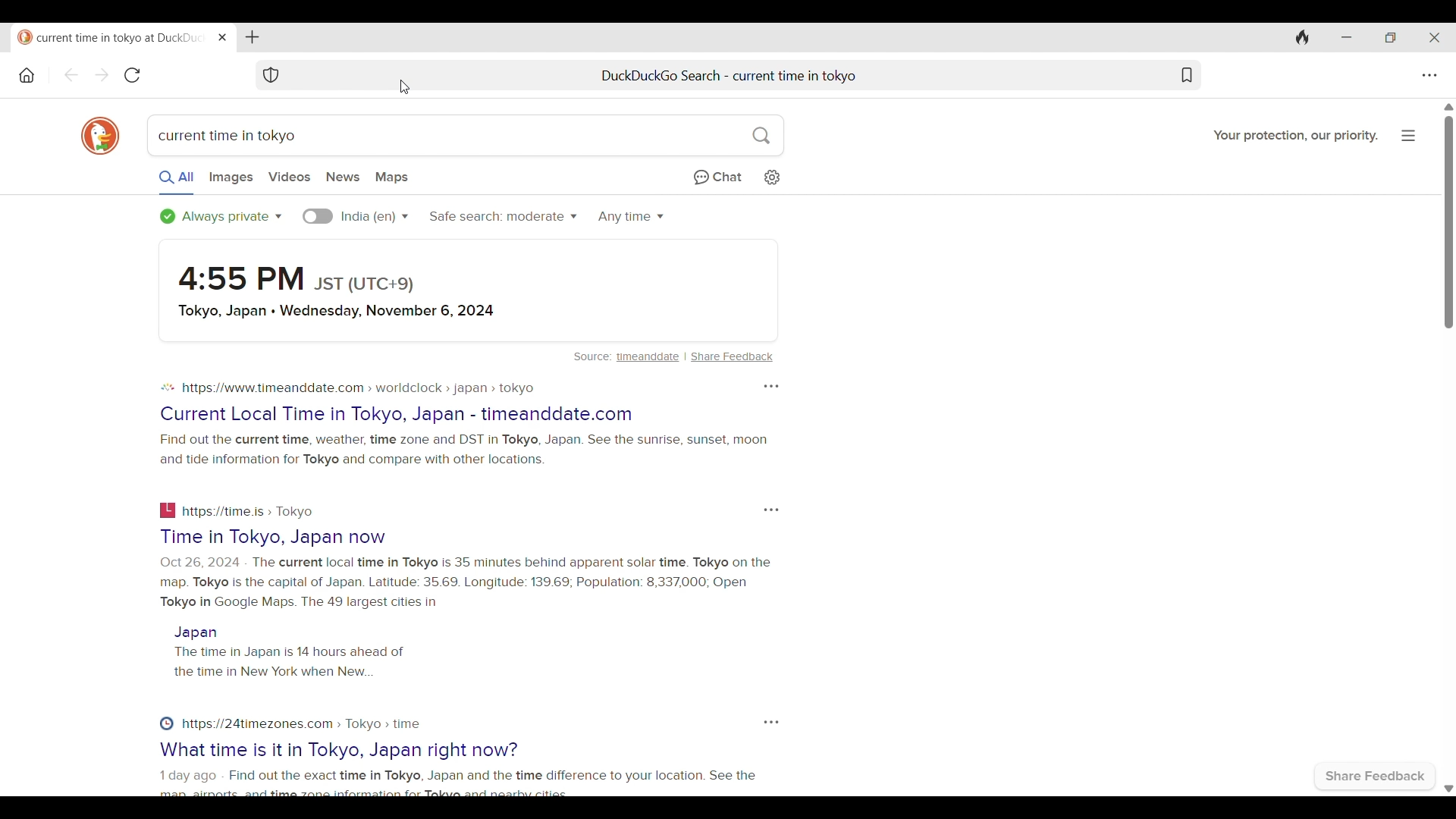  What do you see at coordinates (165, 723) in the screenshot?
I see `Site logo` at bounding box center [165, 723].